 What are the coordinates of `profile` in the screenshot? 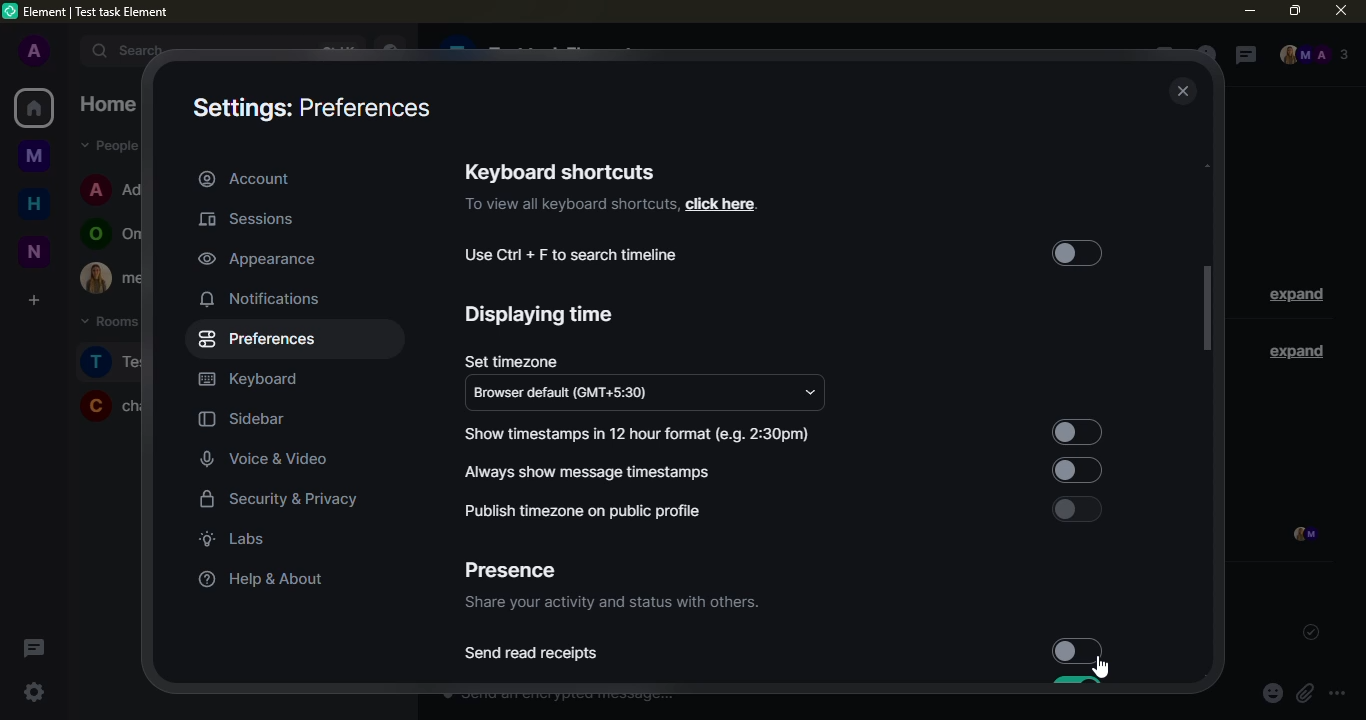 It's located at (33, 52).